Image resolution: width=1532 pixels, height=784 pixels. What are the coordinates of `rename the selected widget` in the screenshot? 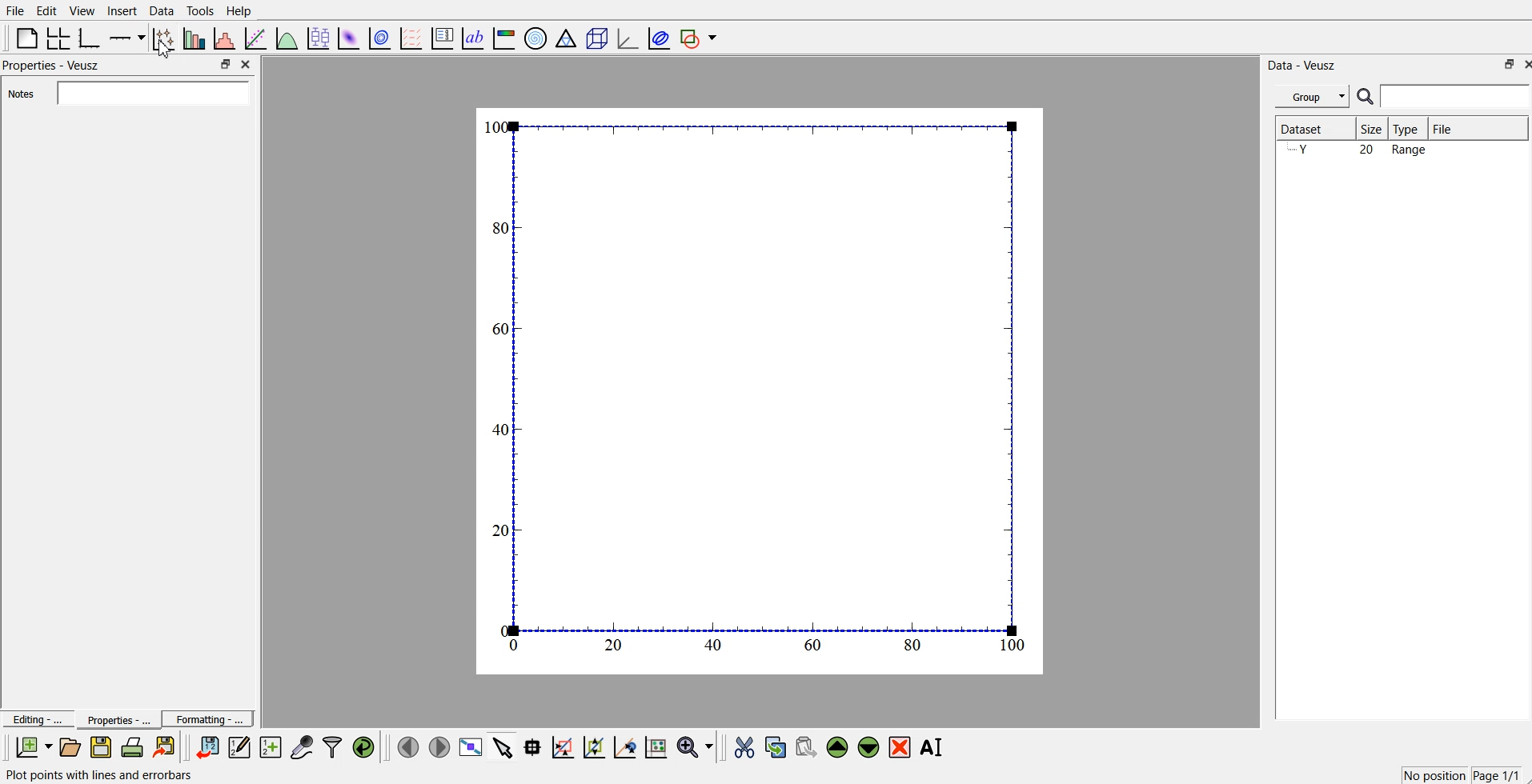 It's located at (932, 747).